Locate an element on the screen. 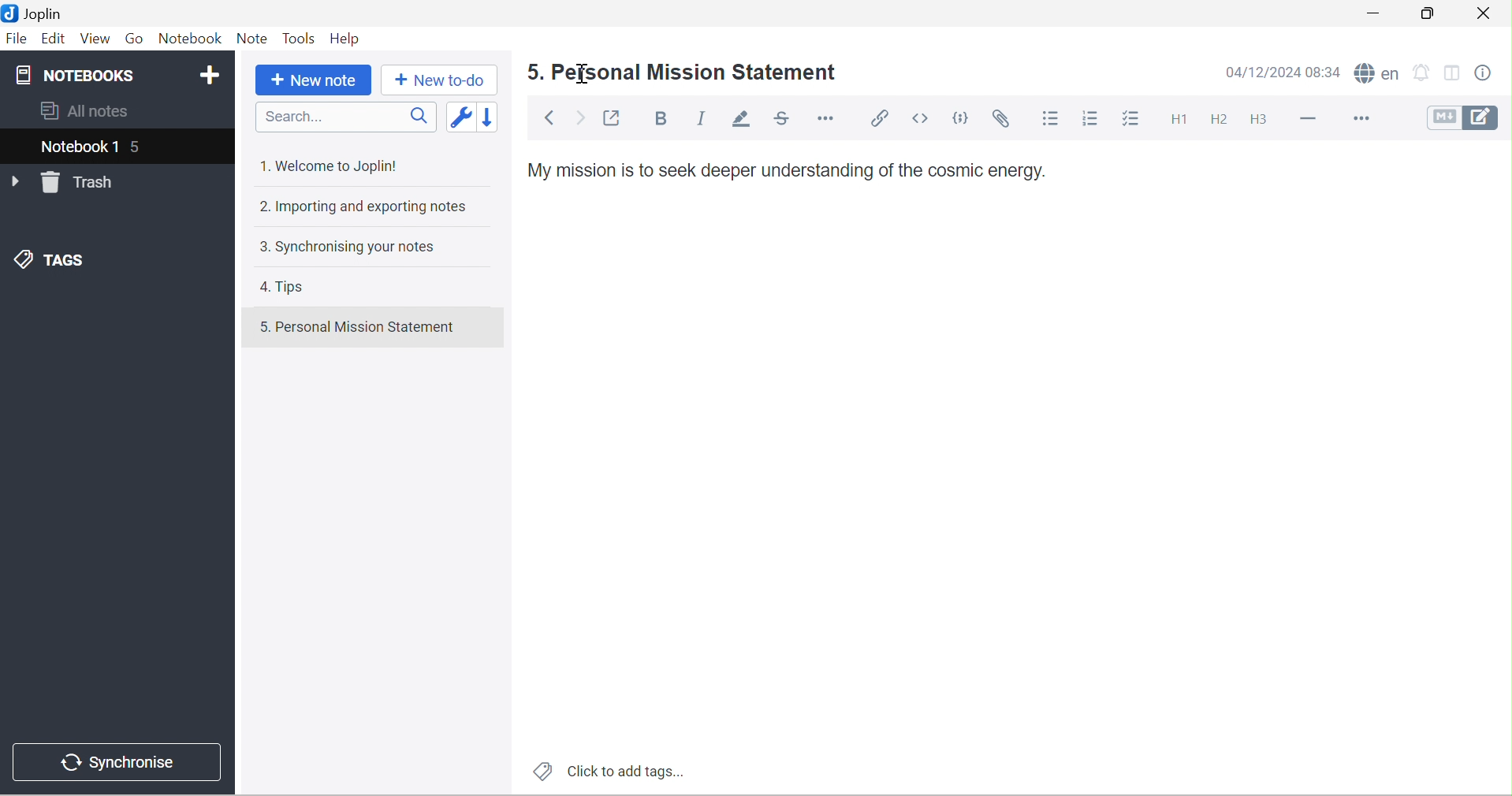 The height and width of the screenshot is (796, 1512). Cursor is located at coordinates (584, 73).